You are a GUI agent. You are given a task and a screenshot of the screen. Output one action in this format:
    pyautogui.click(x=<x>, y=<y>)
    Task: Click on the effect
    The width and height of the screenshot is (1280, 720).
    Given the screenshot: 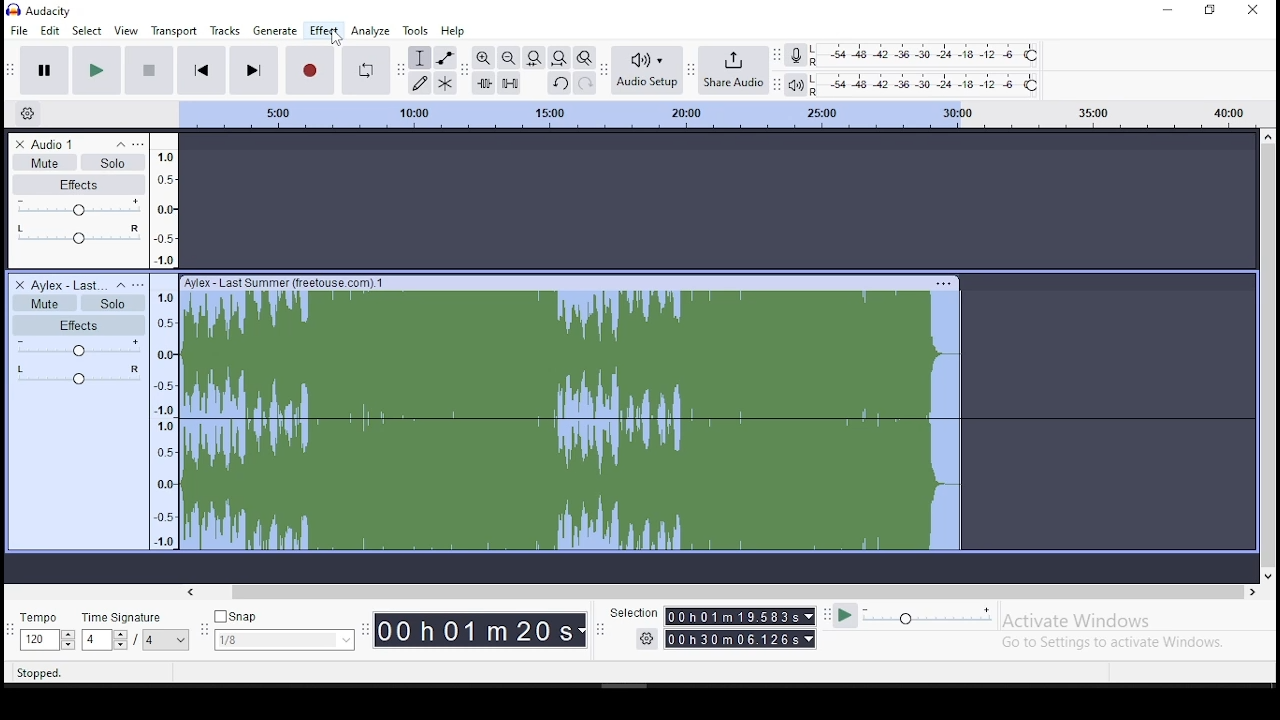 What is the action you would take?
    pyautogui.click(x=323, y=31)
    